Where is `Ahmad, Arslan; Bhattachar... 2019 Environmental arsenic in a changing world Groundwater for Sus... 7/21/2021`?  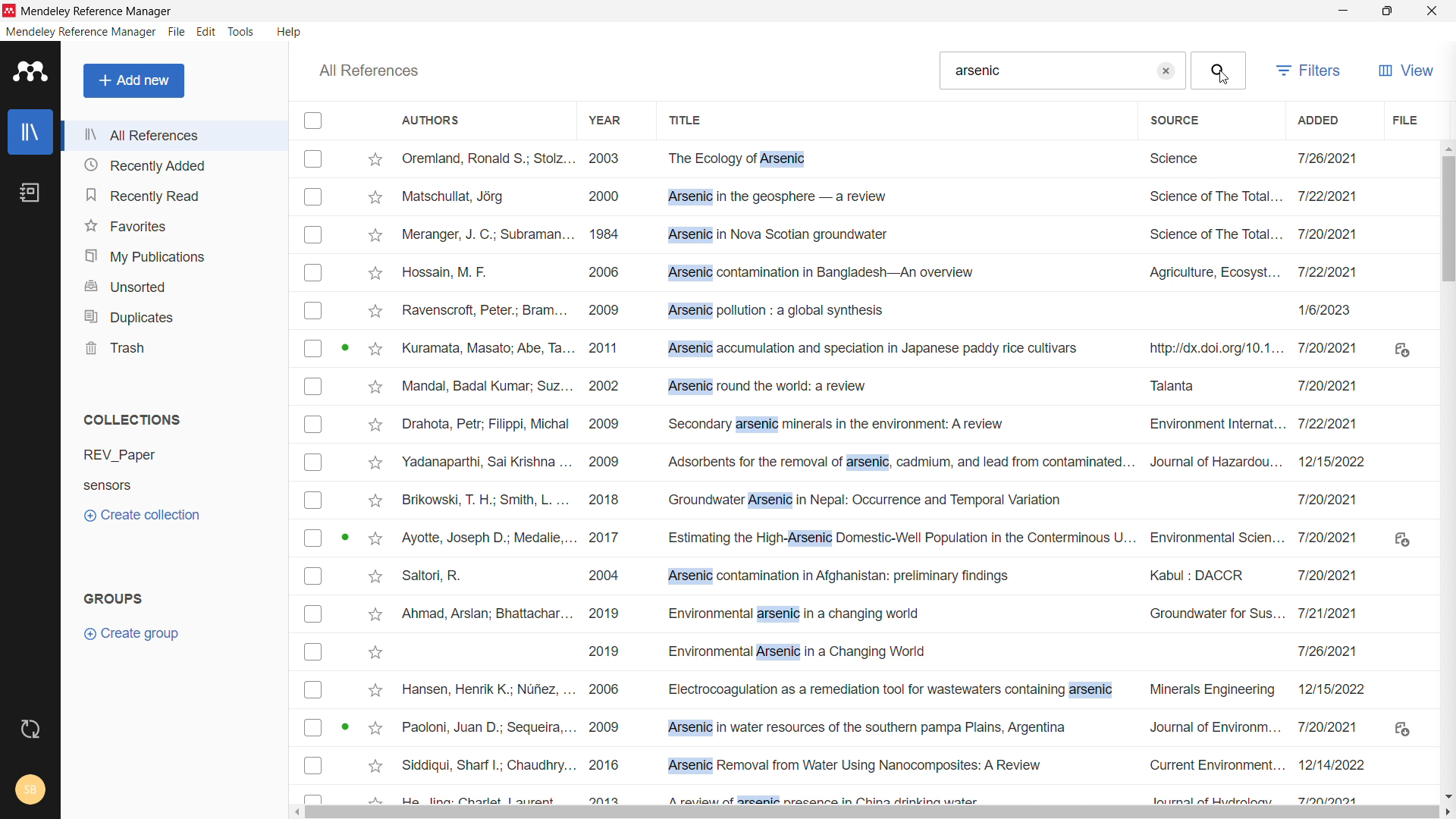 Ahmad, Arslan; Bhattachar... 2019 Environmental arsenic in a changing world Groundwater for Sus... 7/21/2021 is located at coordinates (879, 613).